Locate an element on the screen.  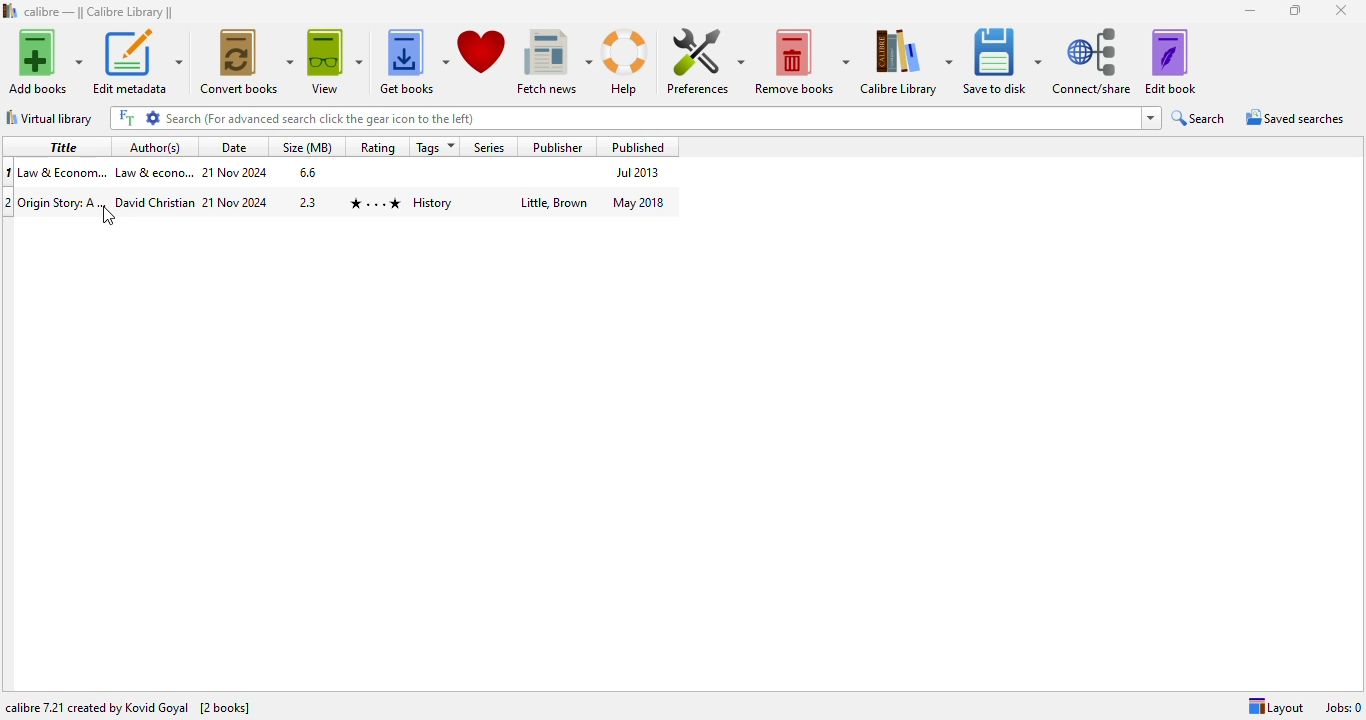
maximize is located at coordinates (1294, 10).